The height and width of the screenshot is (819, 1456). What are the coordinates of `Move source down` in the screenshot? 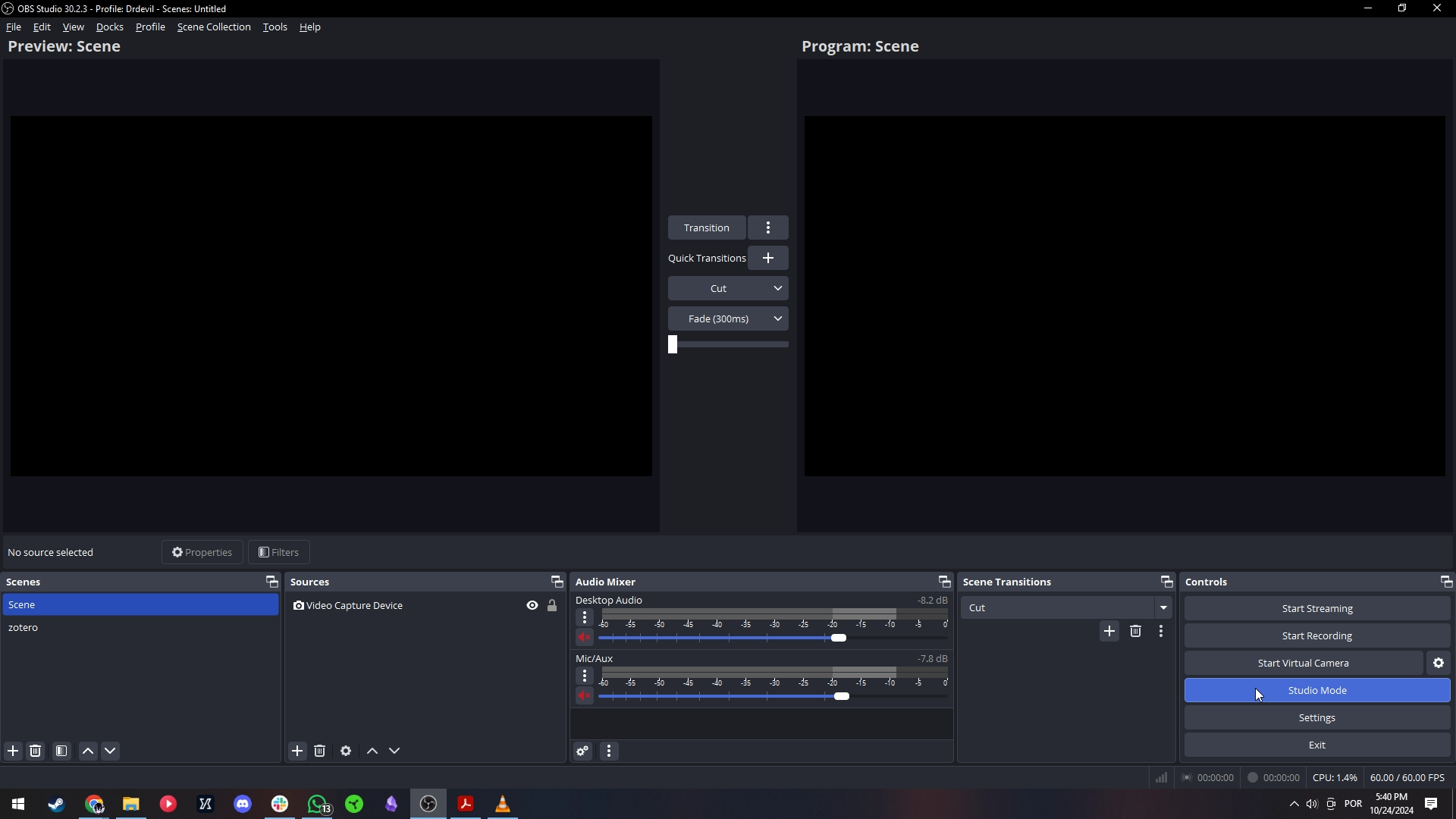 It's located at (394, 752).